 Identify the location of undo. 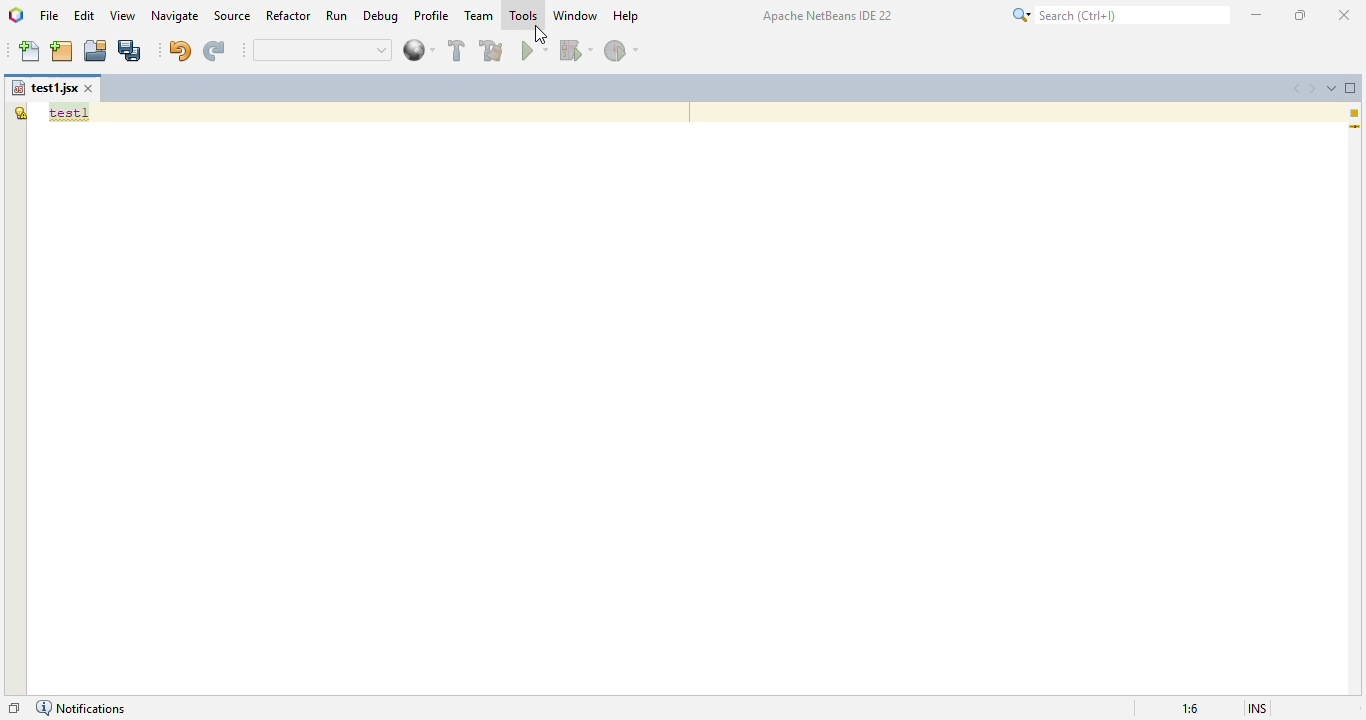
(179, 50).